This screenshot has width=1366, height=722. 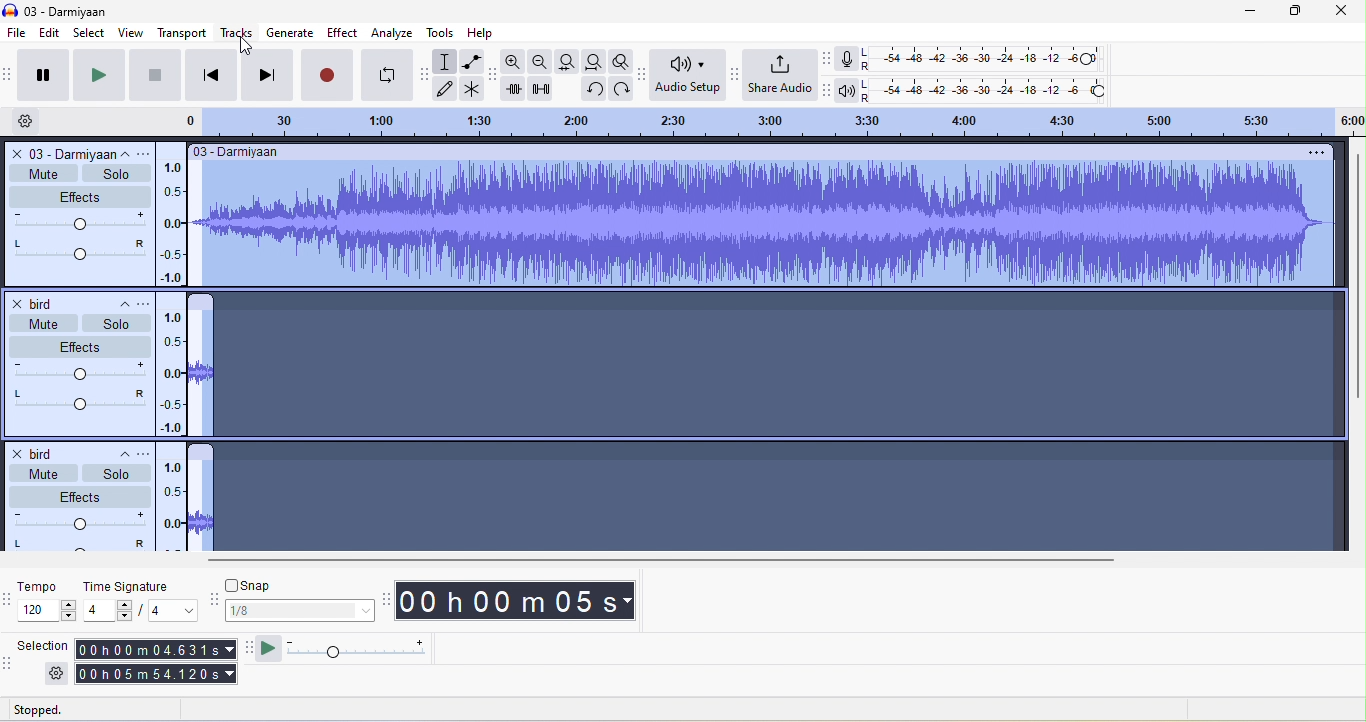 What do you see at coordinates (1314, 155) in the screenshot?
I see `option` at bounding box center [1314, 155].